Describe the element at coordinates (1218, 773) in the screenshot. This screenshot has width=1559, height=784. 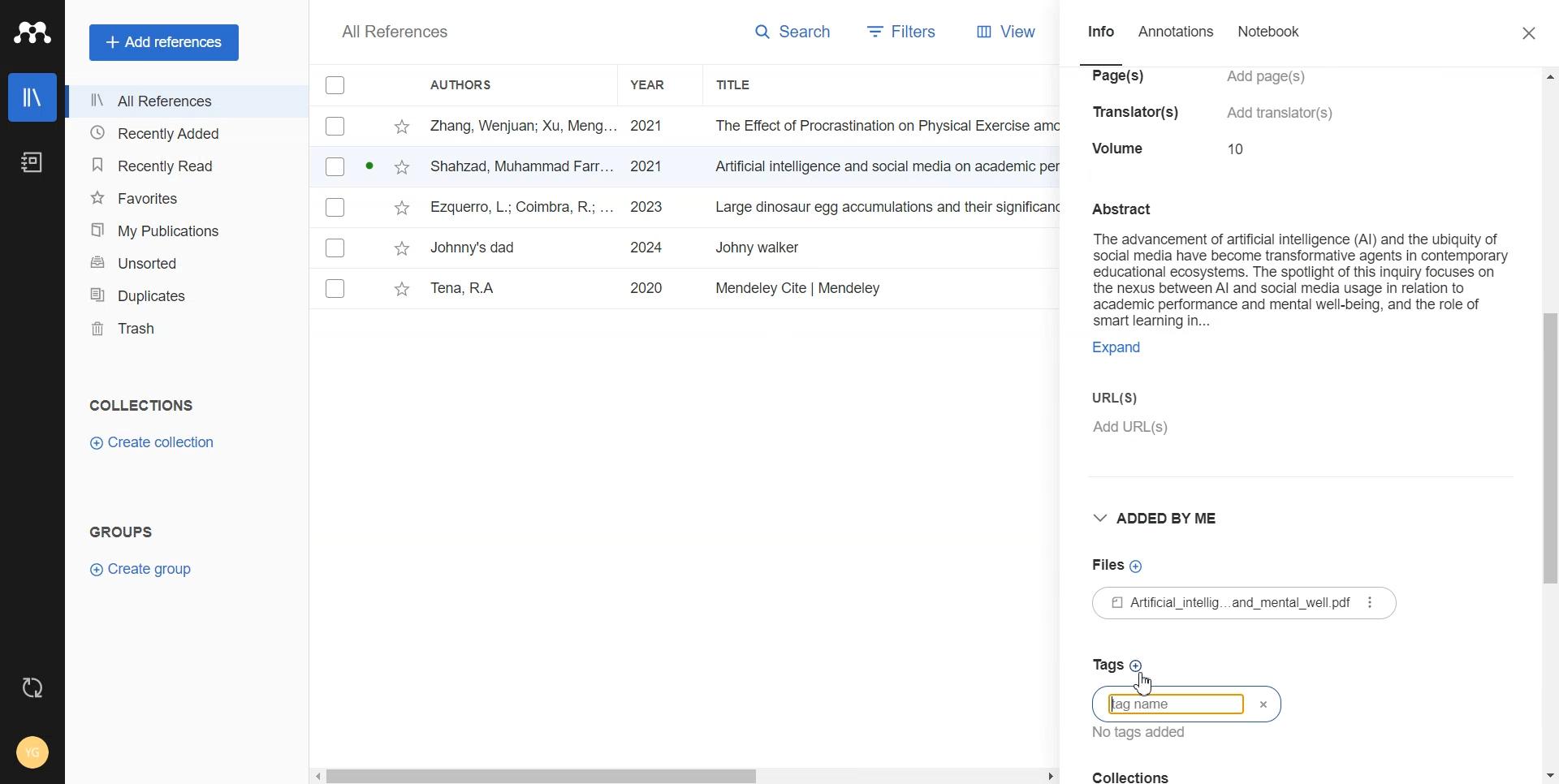
I see `Collection` at that location.